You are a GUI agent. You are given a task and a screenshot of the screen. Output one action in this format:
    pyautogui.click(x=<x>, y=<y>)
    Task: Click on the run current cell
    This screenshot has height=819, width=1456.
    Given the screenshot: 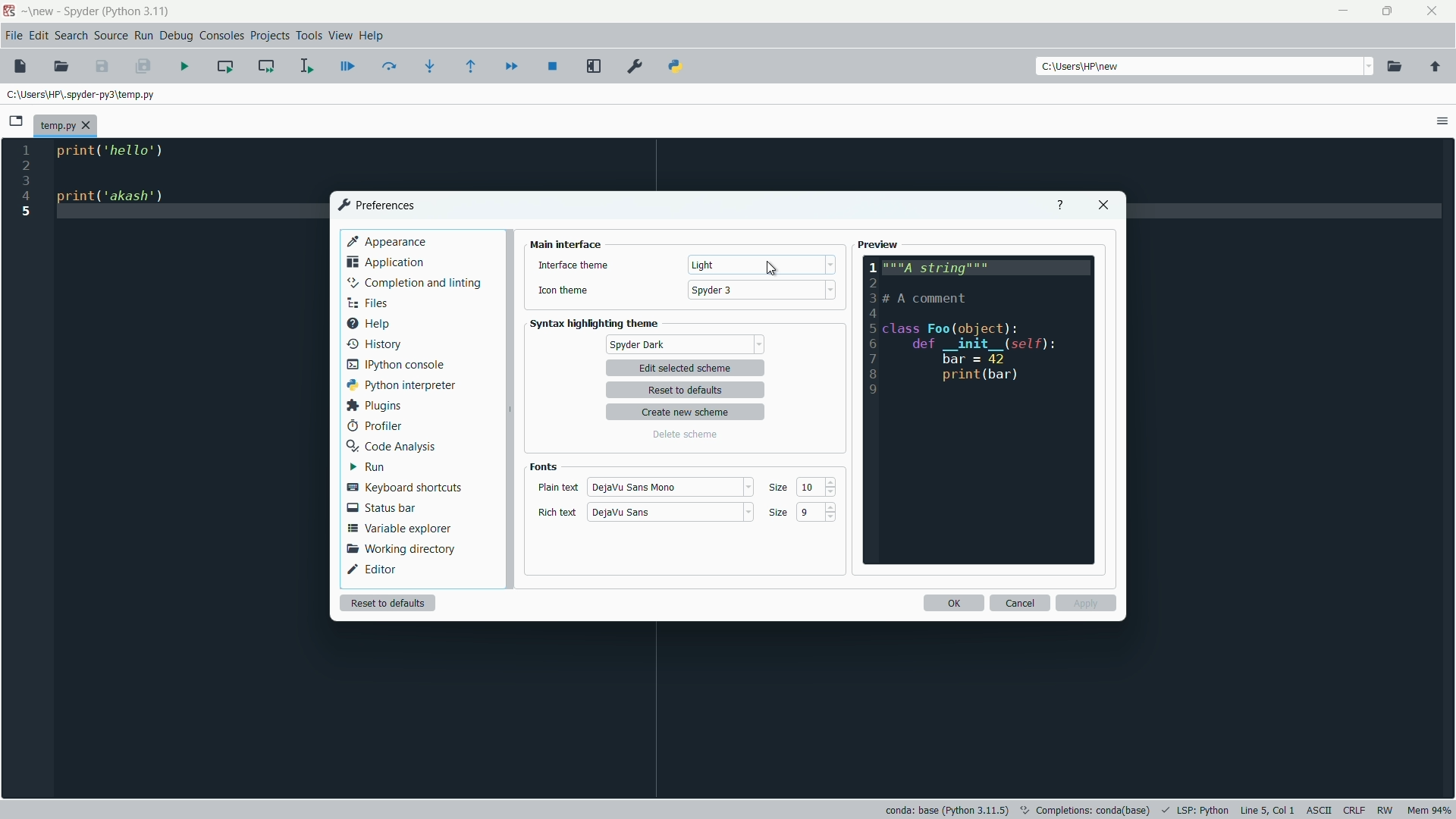 What is the action you would take?
    pyautogui.click(x=225, y=65)
    